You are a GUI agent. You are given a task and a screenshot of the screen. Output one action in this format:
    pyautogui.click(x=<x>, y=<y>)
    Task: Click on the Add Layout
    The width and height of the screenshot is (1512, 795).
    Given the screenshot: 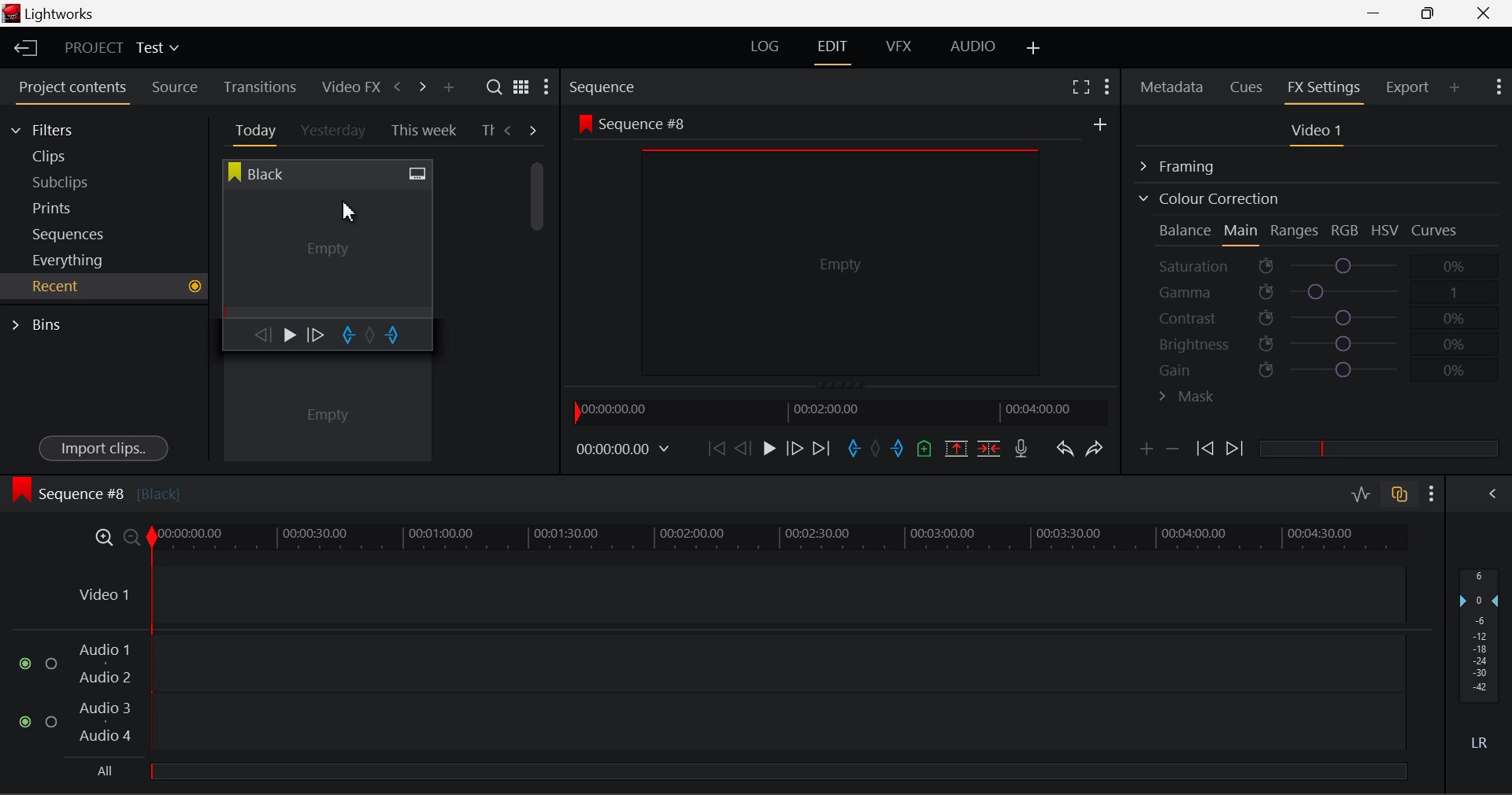 What is the action you would take?
    pyautogui.click(x=1034, y=49)
    